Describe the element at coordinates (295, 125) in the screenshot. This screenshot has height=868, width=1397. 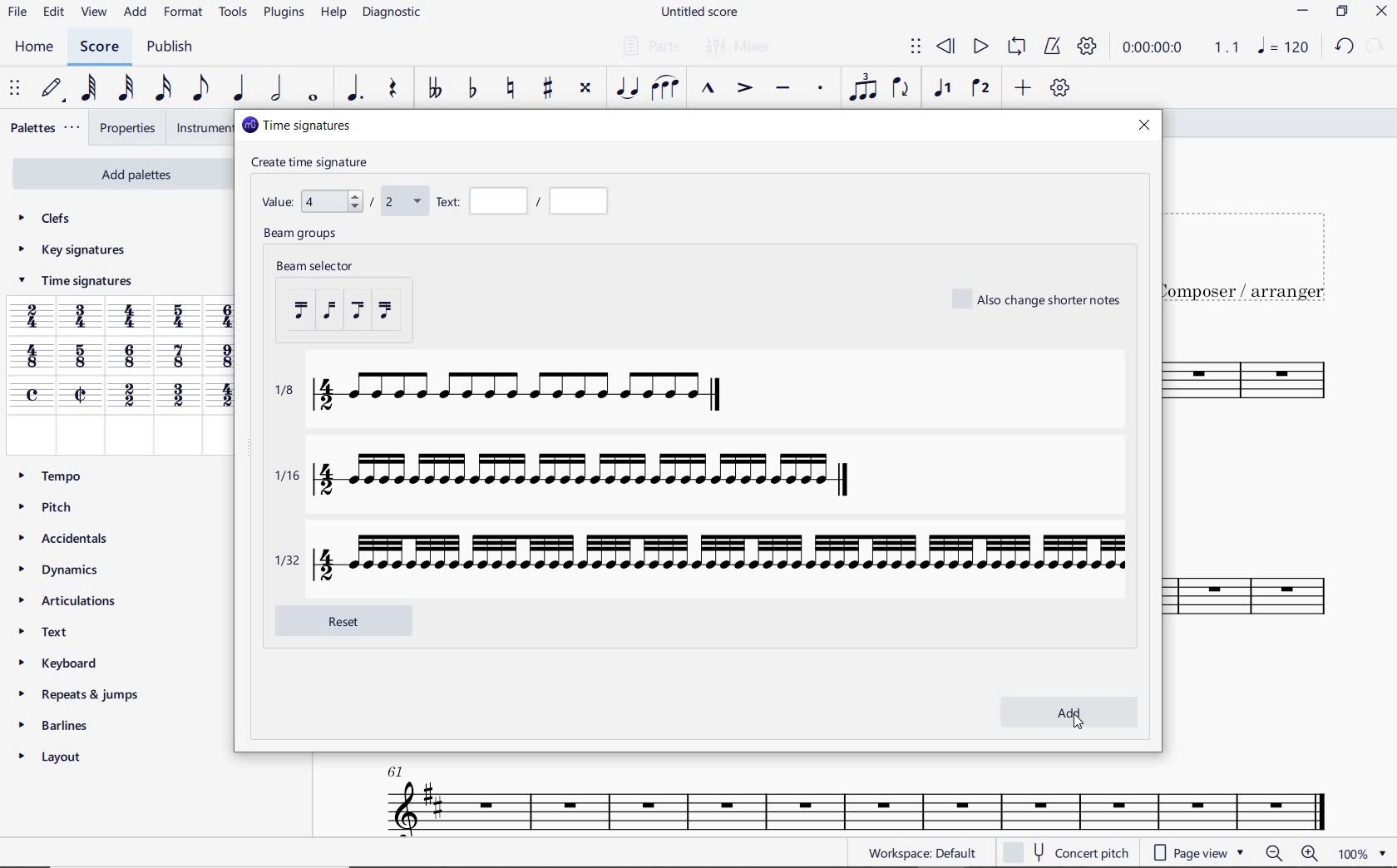
I see `time signatures` at that location.